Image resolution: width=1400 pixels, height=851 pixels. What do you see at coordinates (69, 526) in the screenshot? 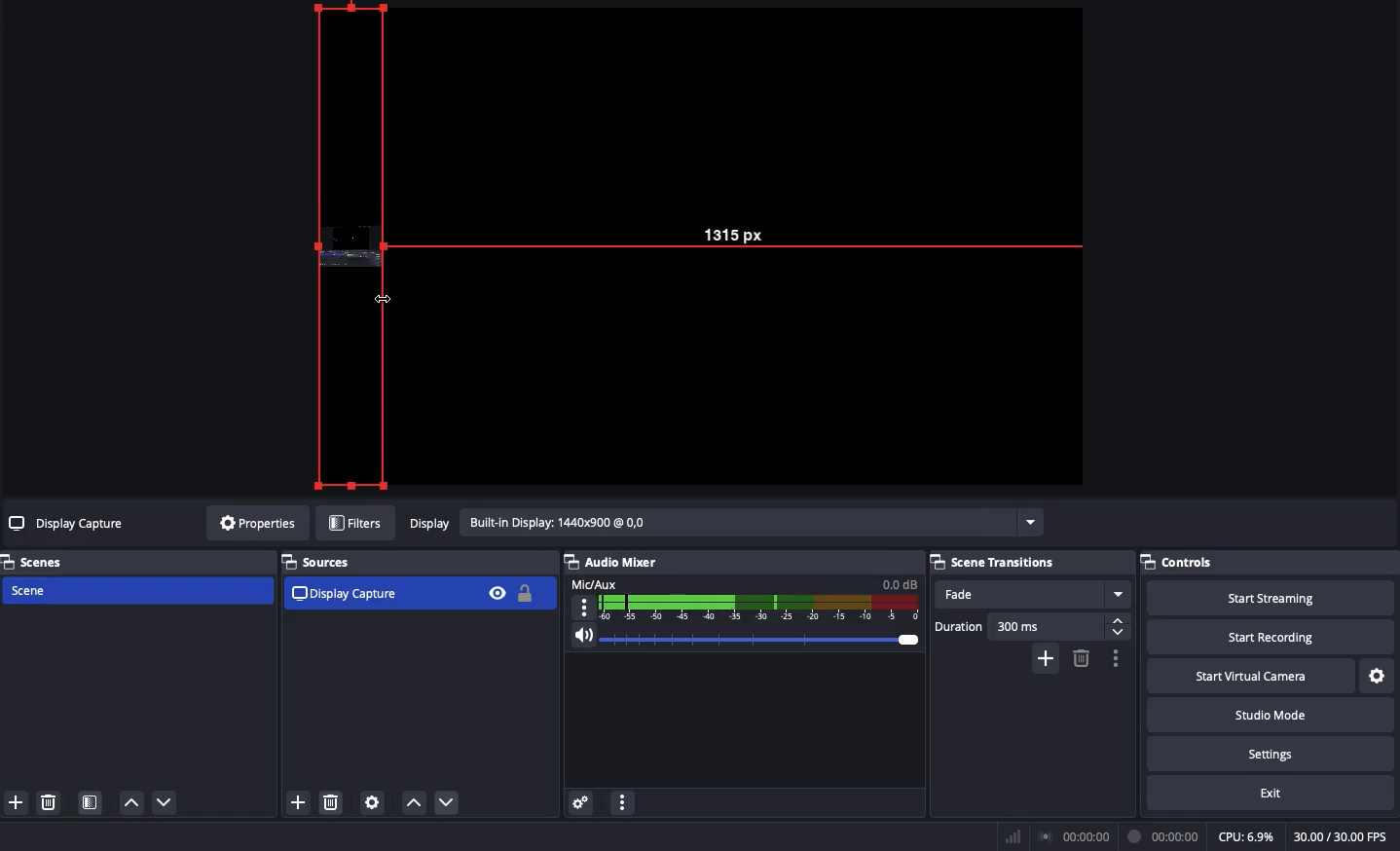
I see `Display capture` at bounding box center [69, 526].